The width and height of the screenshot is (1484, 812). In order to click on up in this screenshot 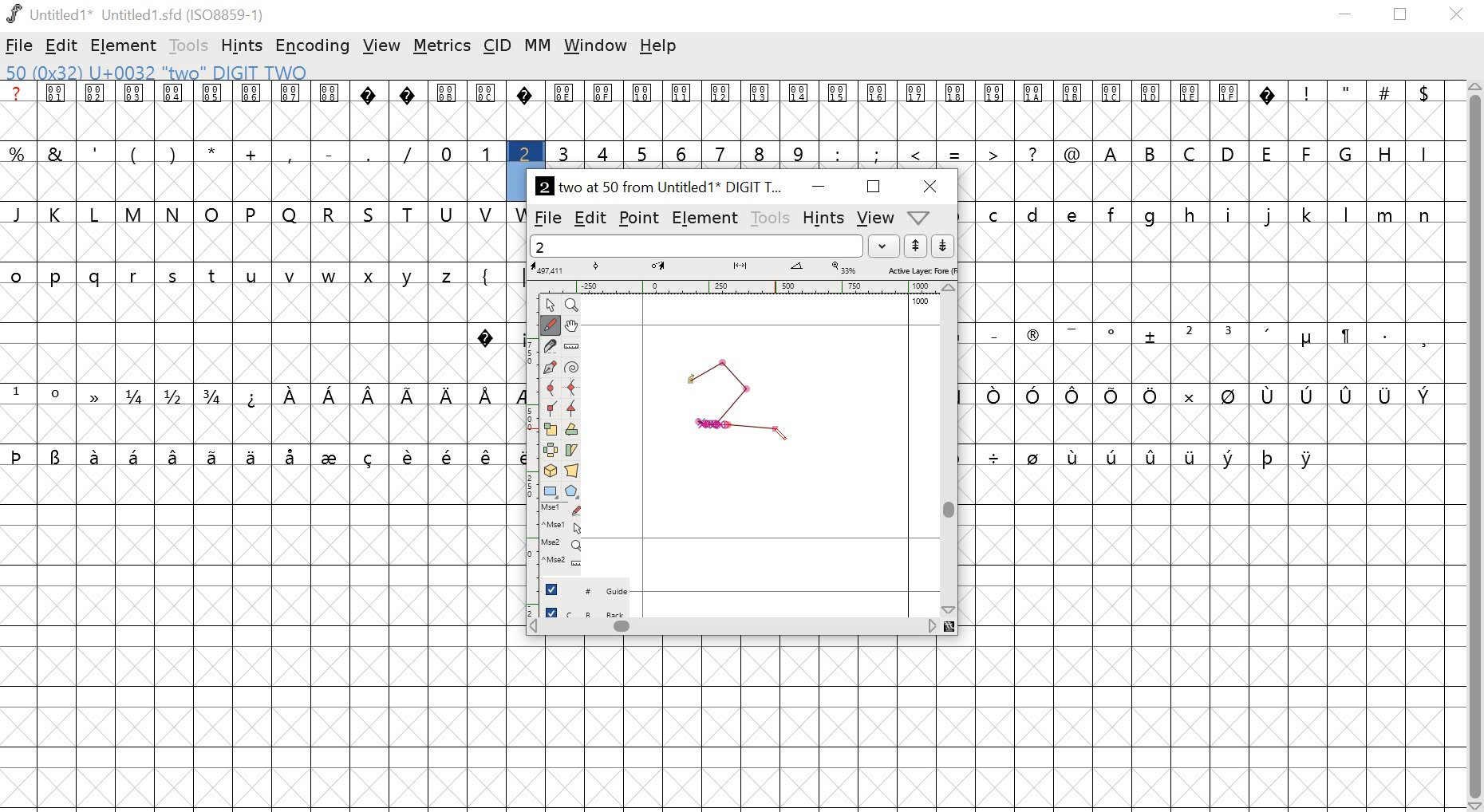, I will do `click(916, 246)`.